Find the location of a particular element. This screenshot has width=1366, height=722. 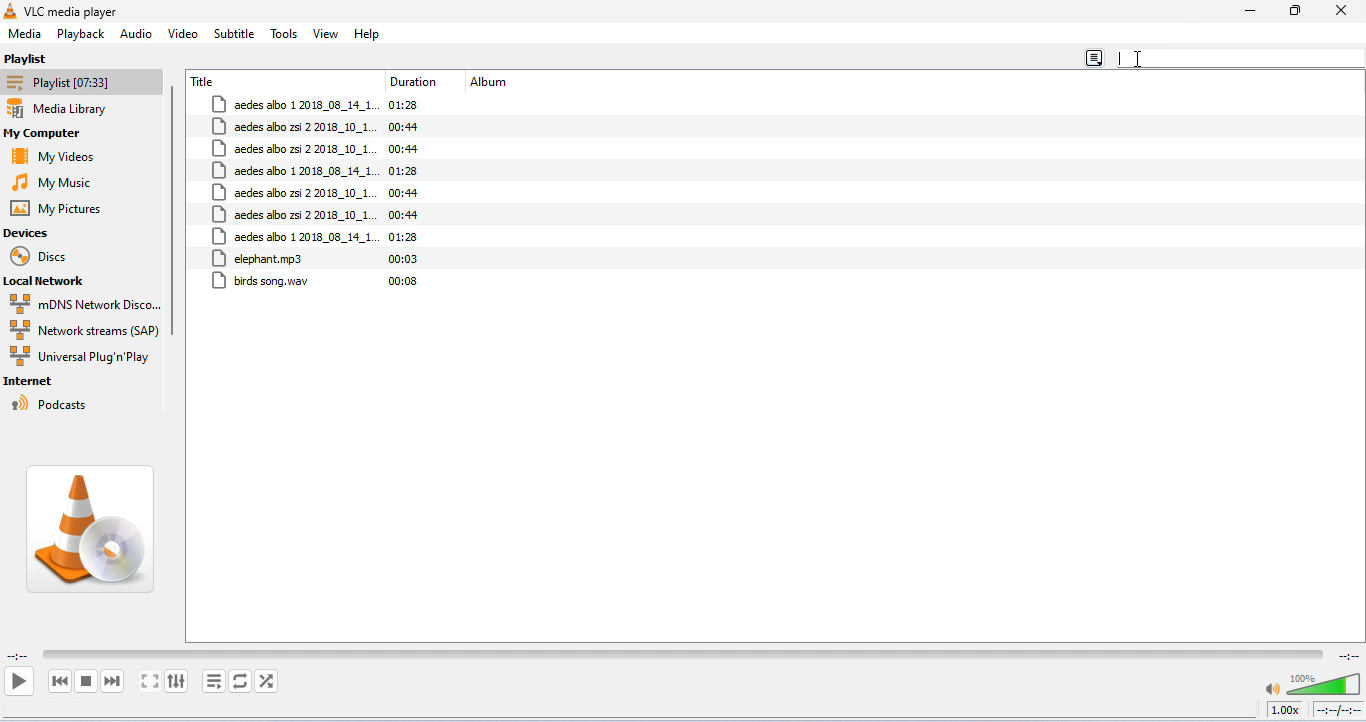

close is located at coordinates (1340, 11).